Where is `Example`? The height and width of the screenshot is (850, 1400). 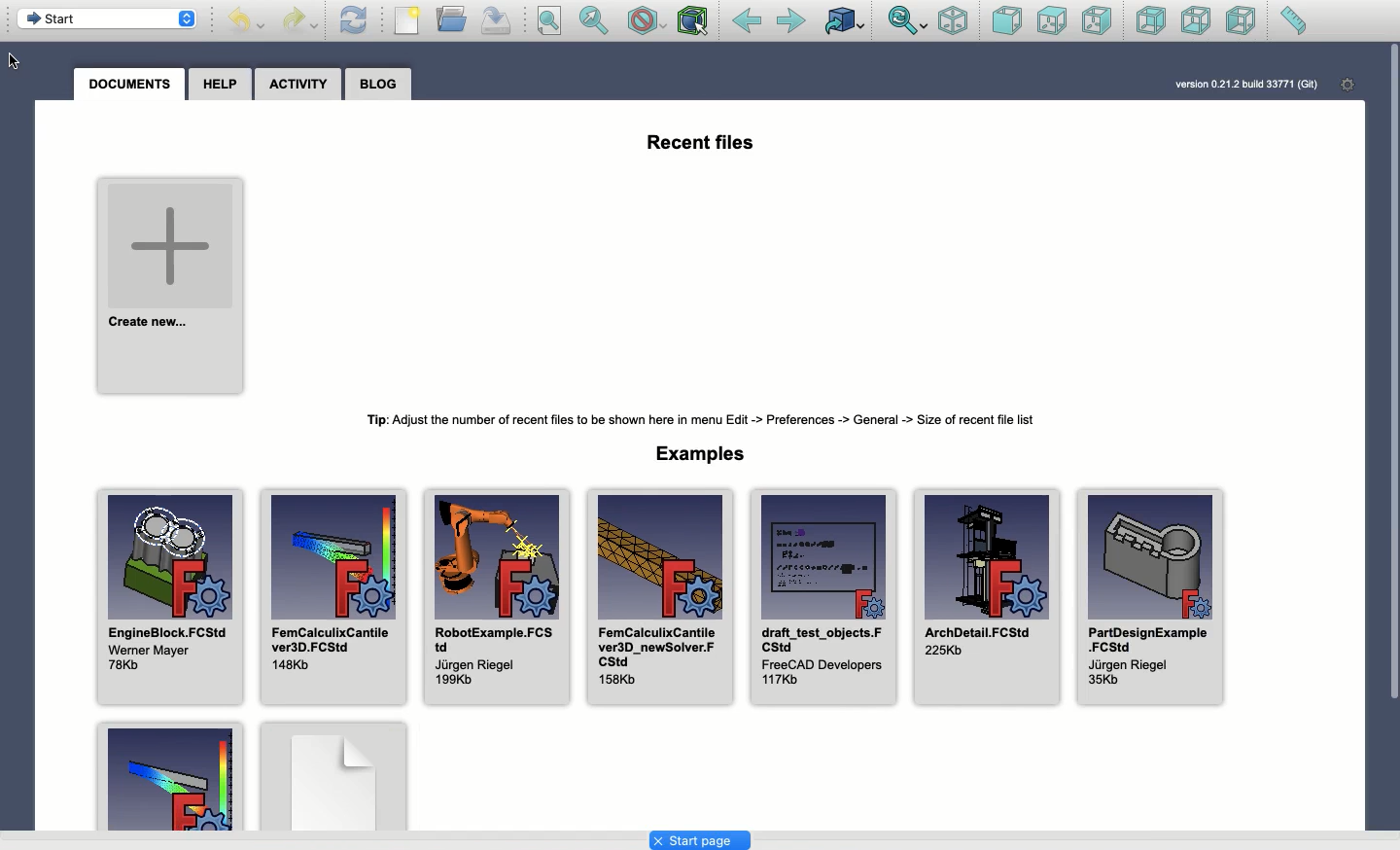 Example is located at coordinates (171, 775).